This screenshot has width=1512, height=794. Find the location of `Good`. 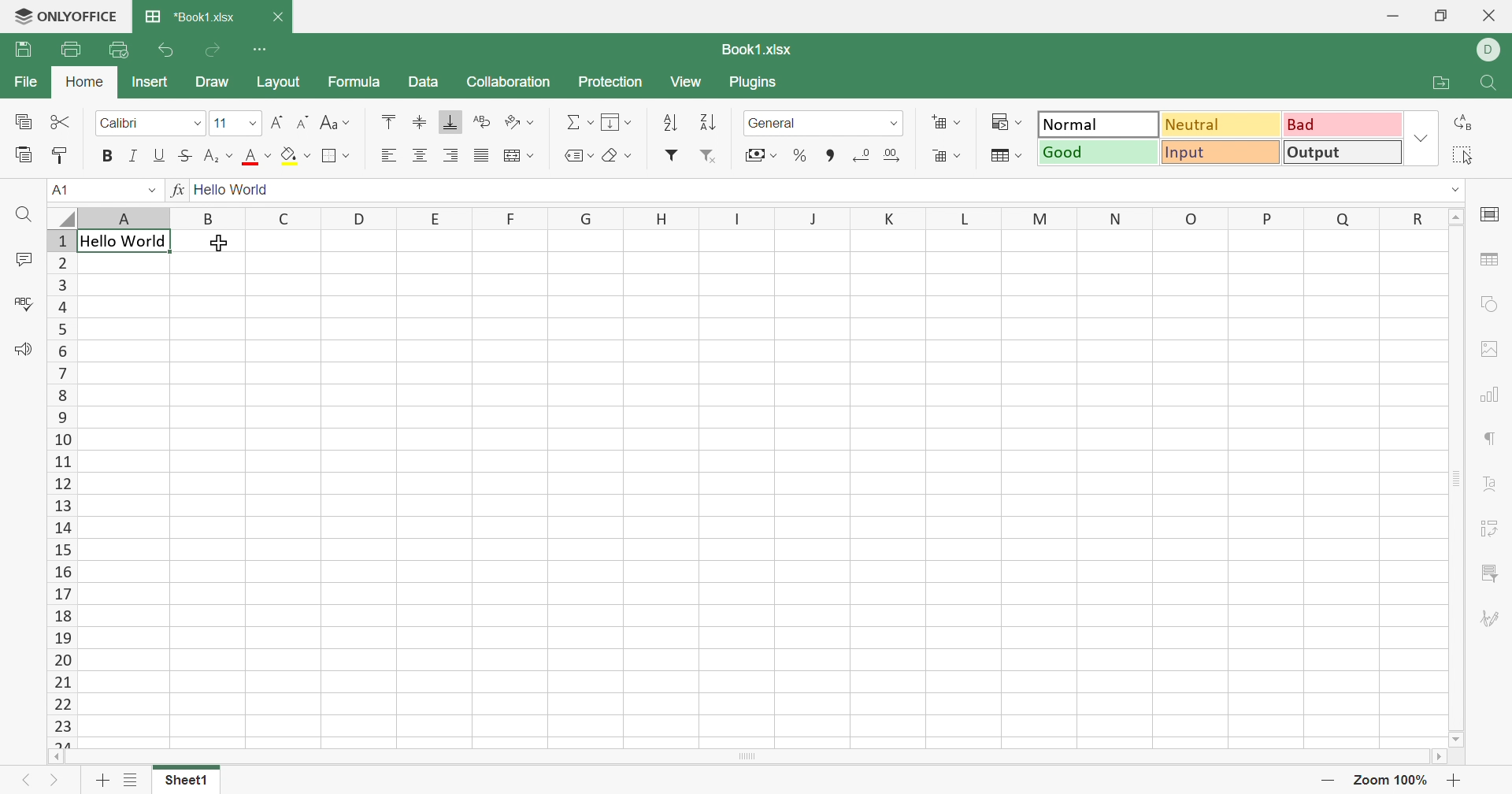

Good is located at coordinates (1097, 152).